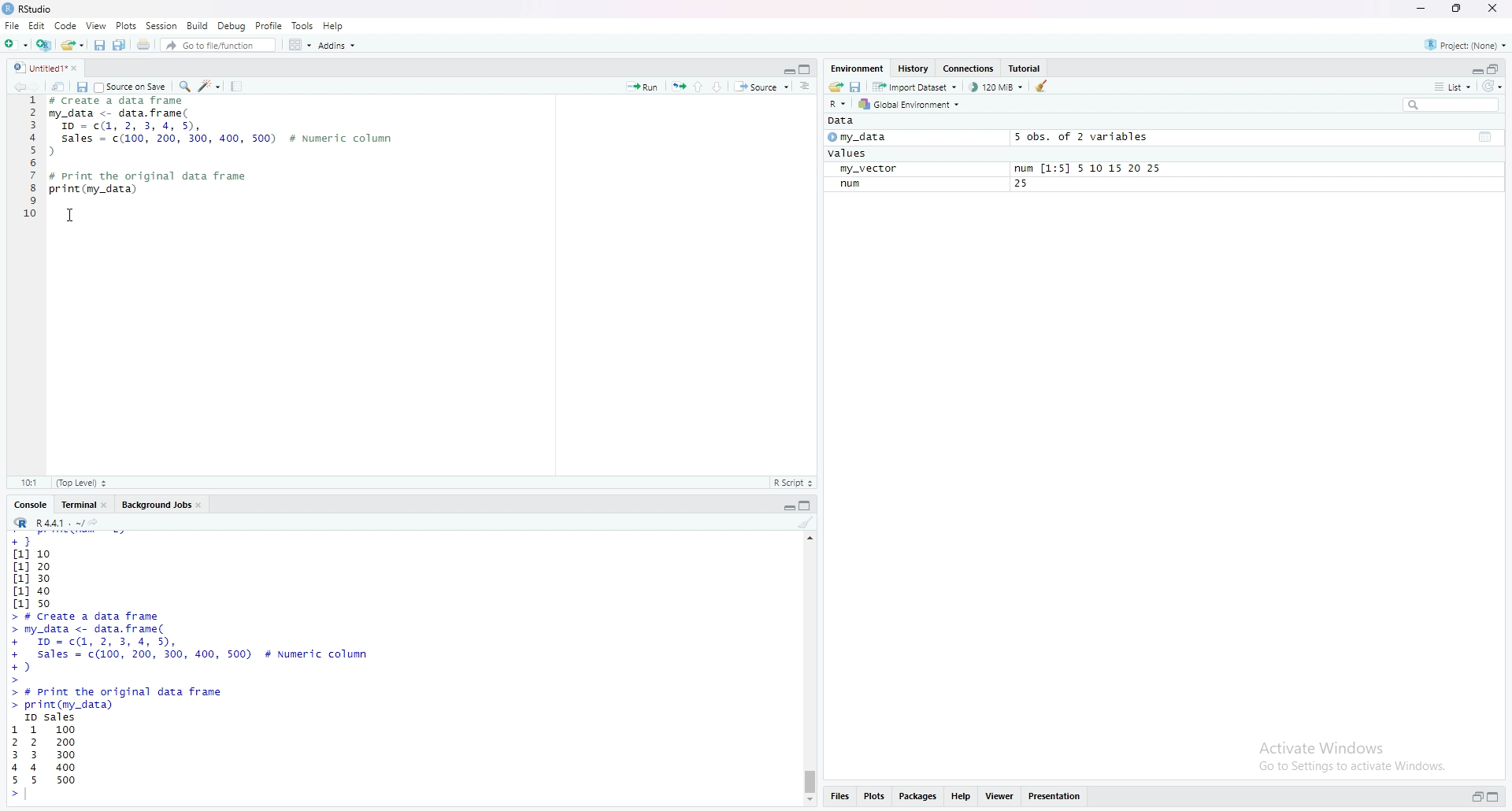  Describe the element at coordinates (1058, 799) in the screenshot. I see `presentation` at that location.